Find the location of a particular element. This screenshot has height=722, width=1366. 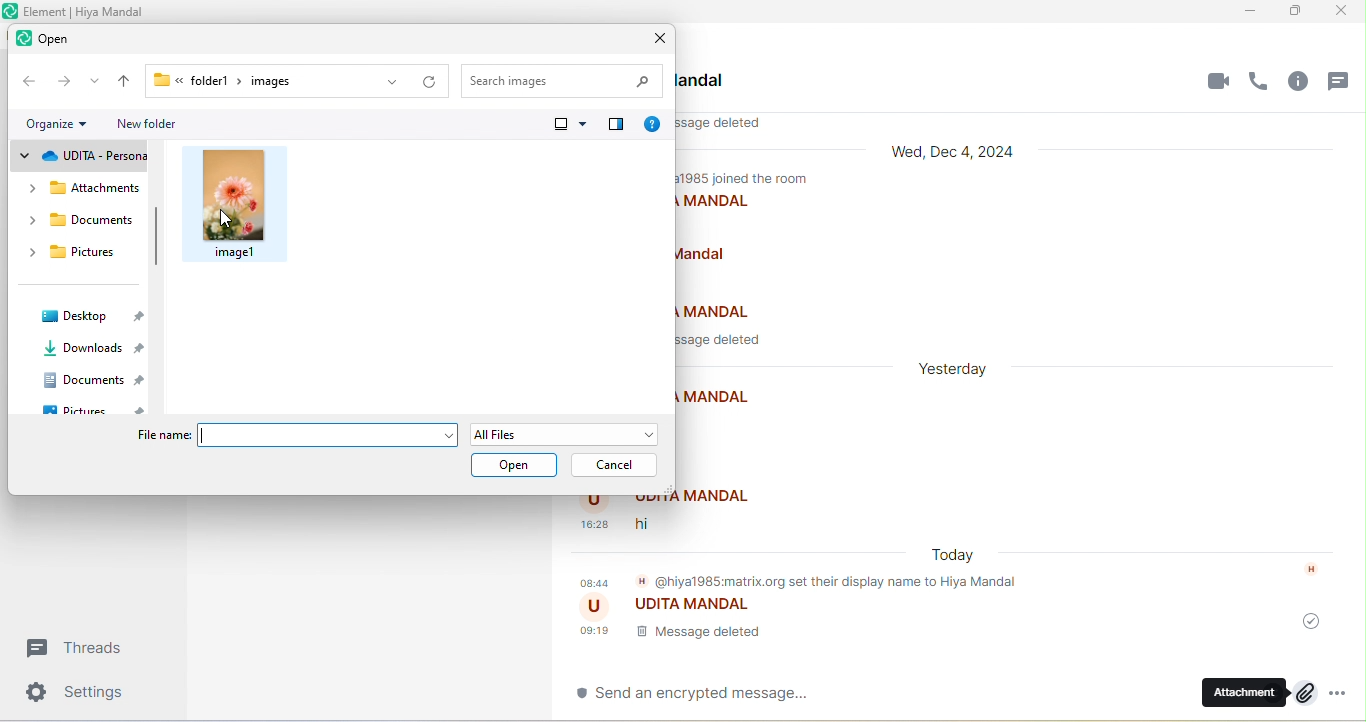

h is located at coordinates (1316, 570).